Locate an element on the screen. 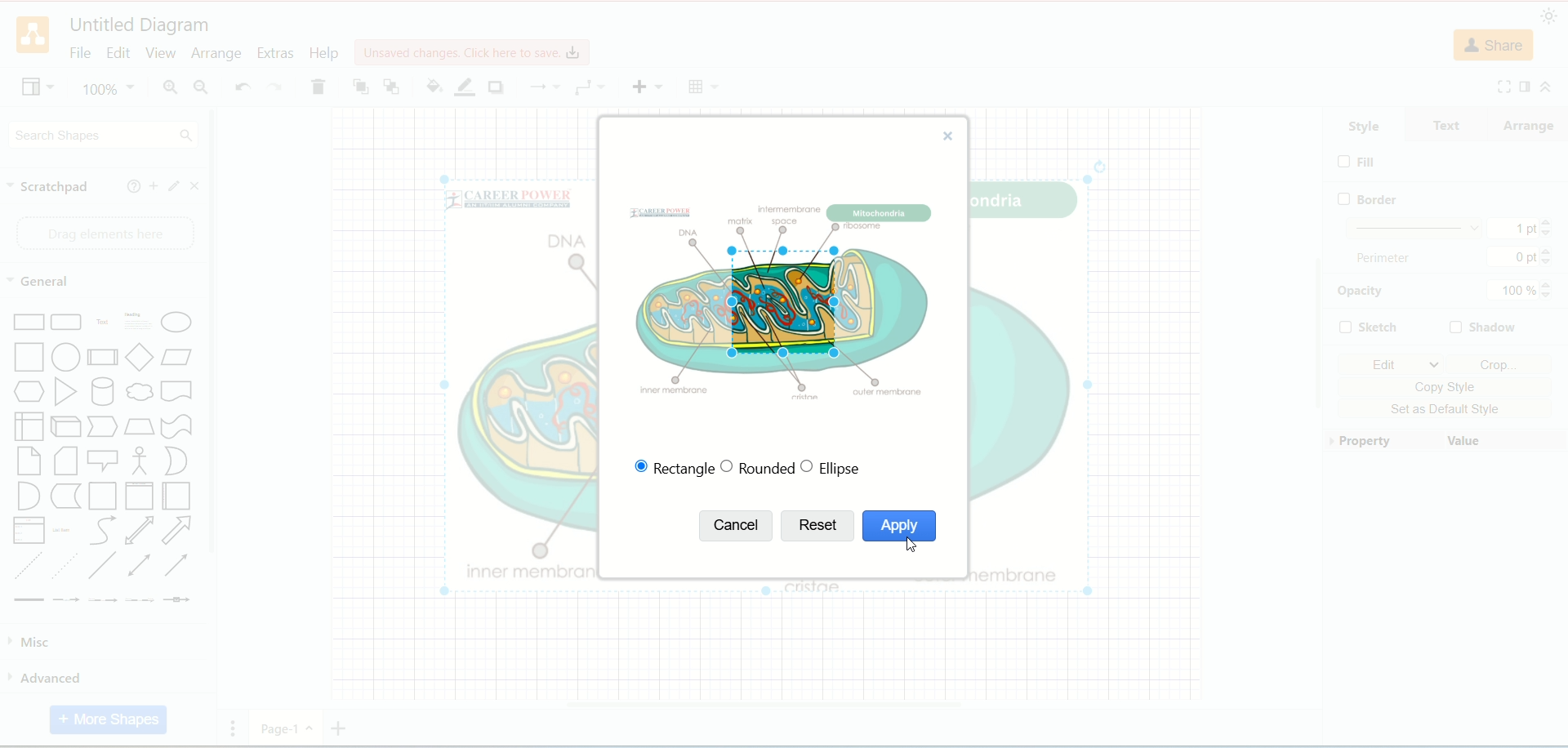 This screenshot has height=748, width=1568. Link is located at coordinates (29, 601).